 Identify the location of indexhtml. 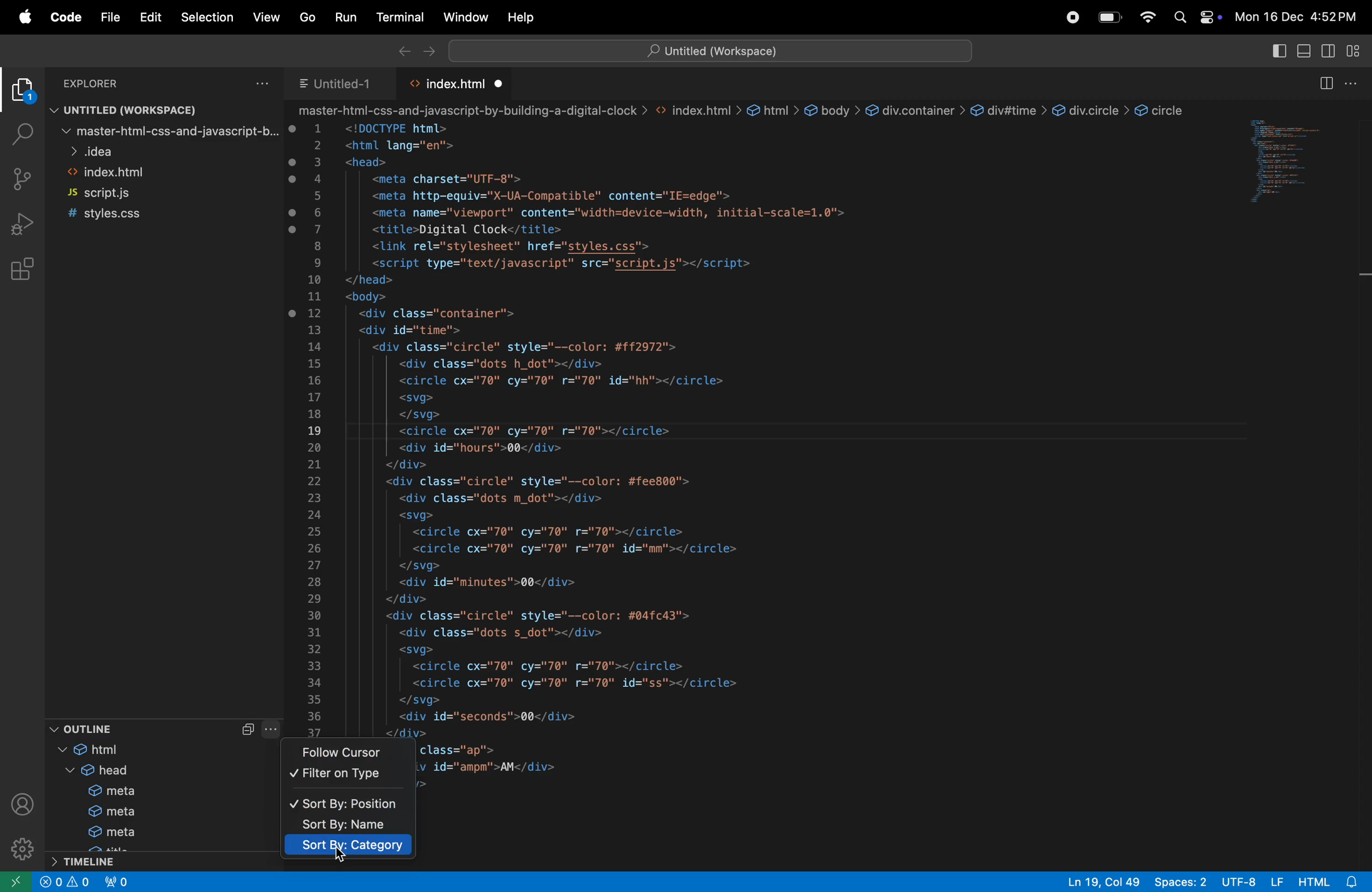
(166, 173).